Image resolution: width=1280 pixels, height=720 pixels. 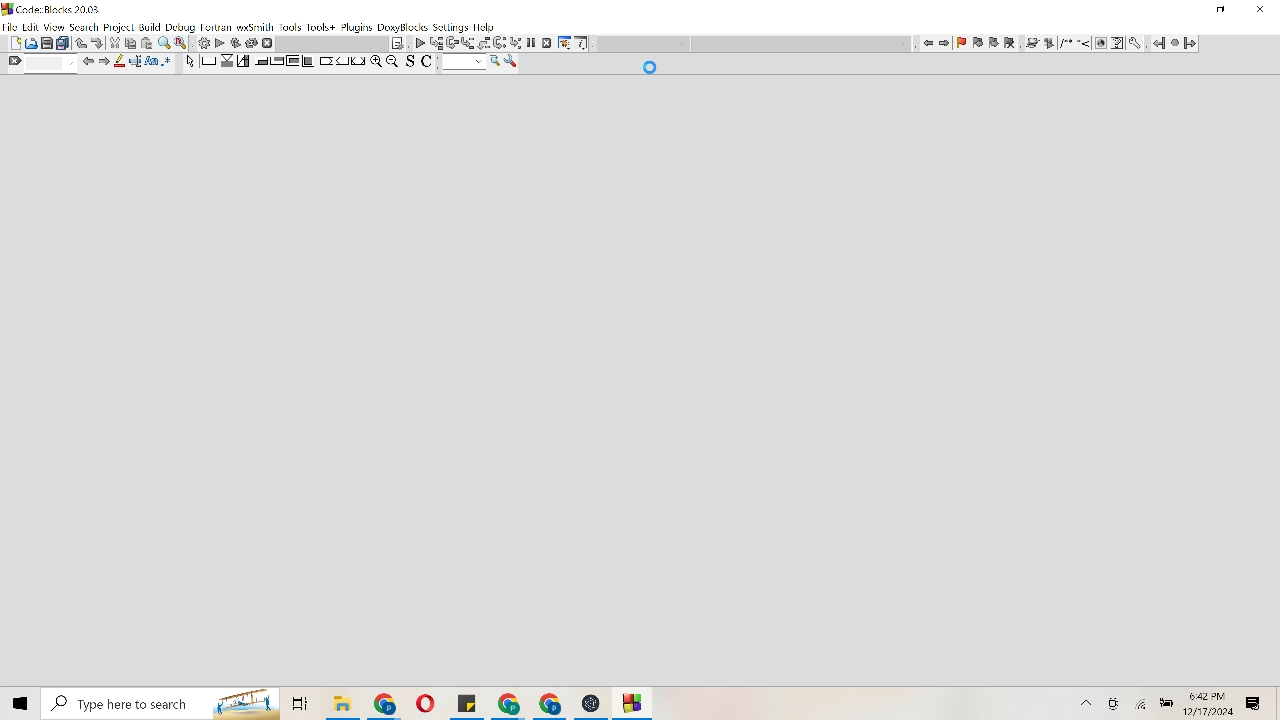 I want to click on Windows, so click(x=19, y=702).